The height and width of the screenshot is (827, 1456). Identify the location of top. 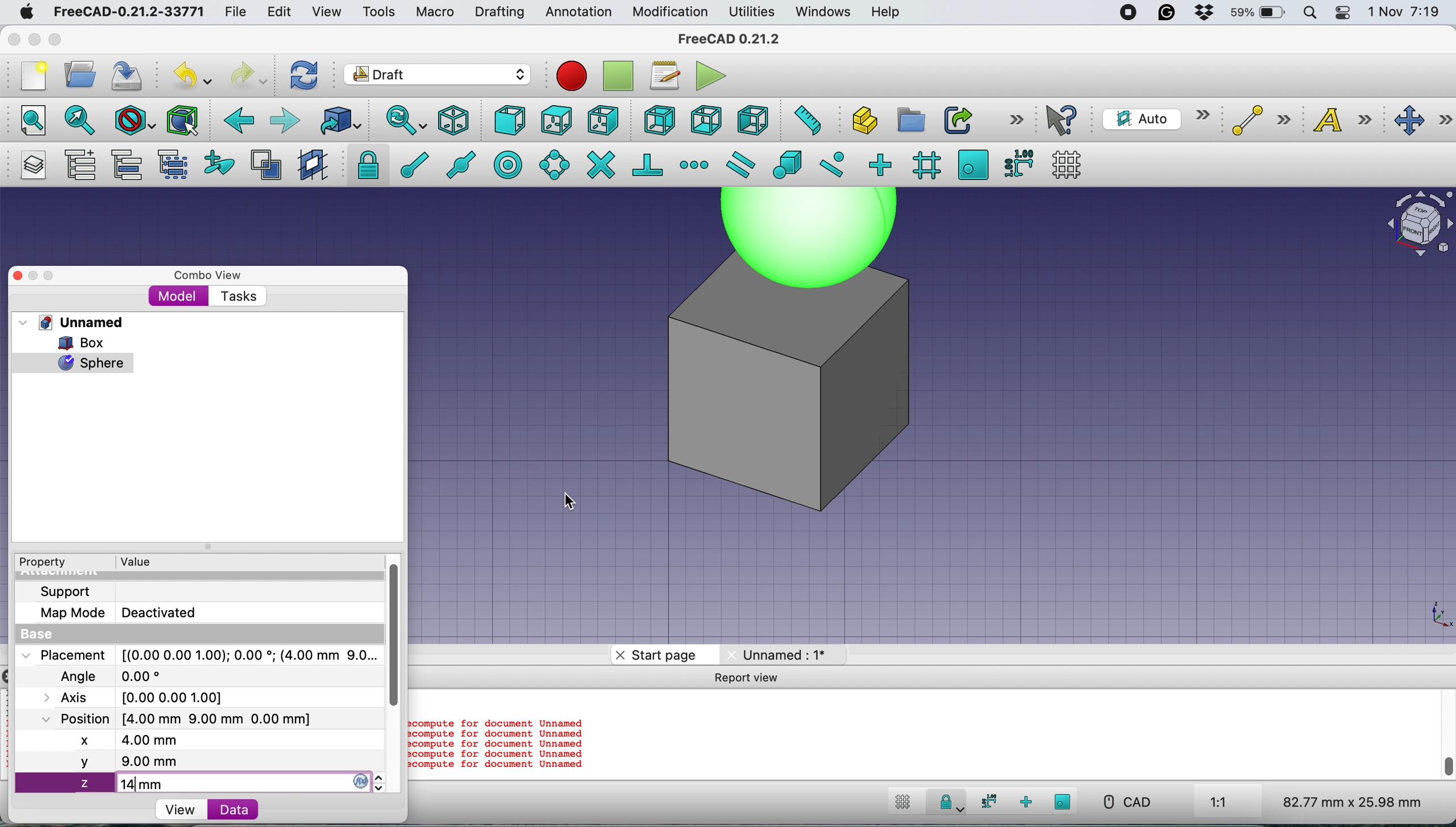
(556, 119).